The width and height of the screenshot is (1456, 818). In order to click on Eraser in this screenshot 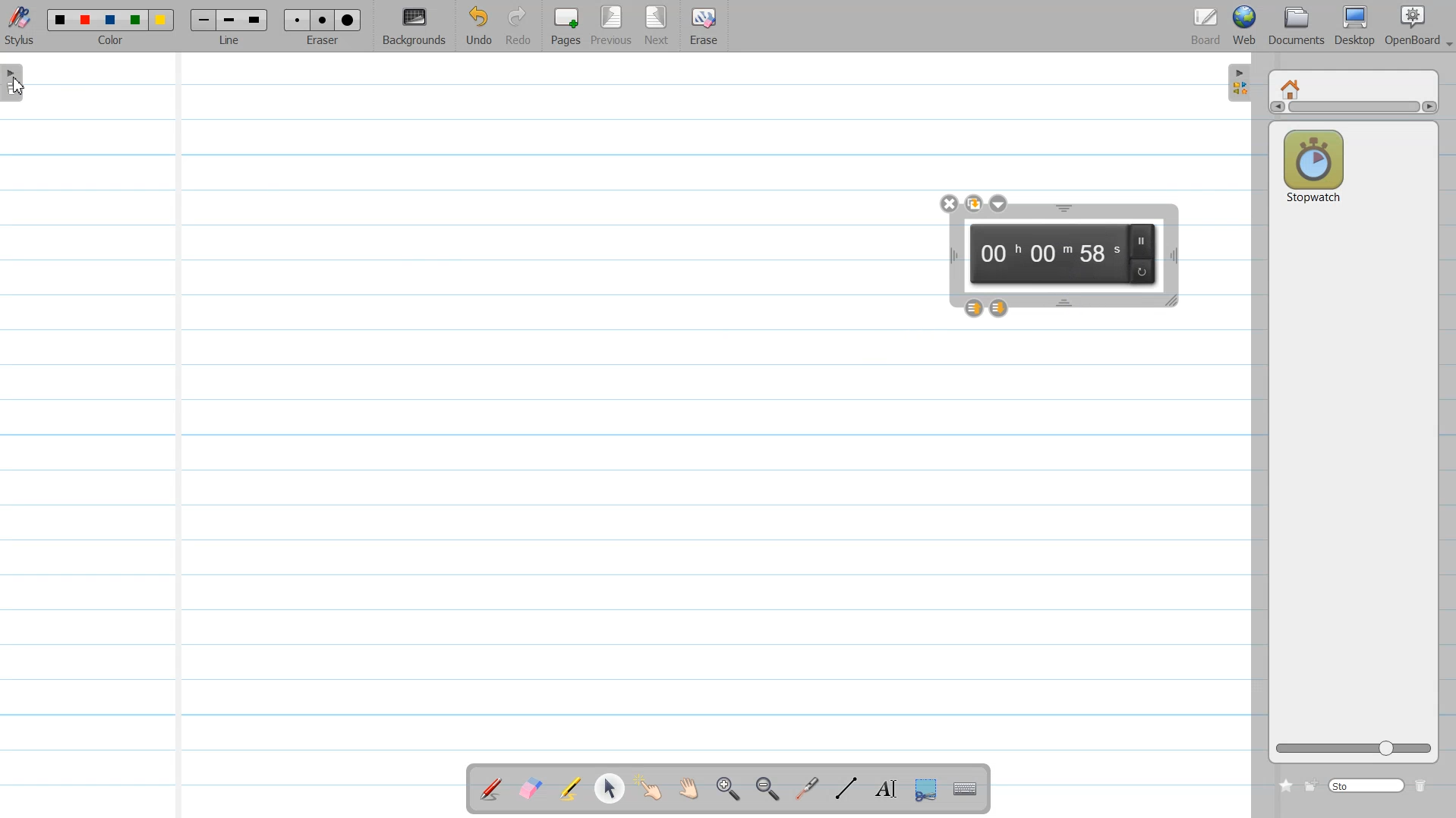, I will do `click(323, 27)`.